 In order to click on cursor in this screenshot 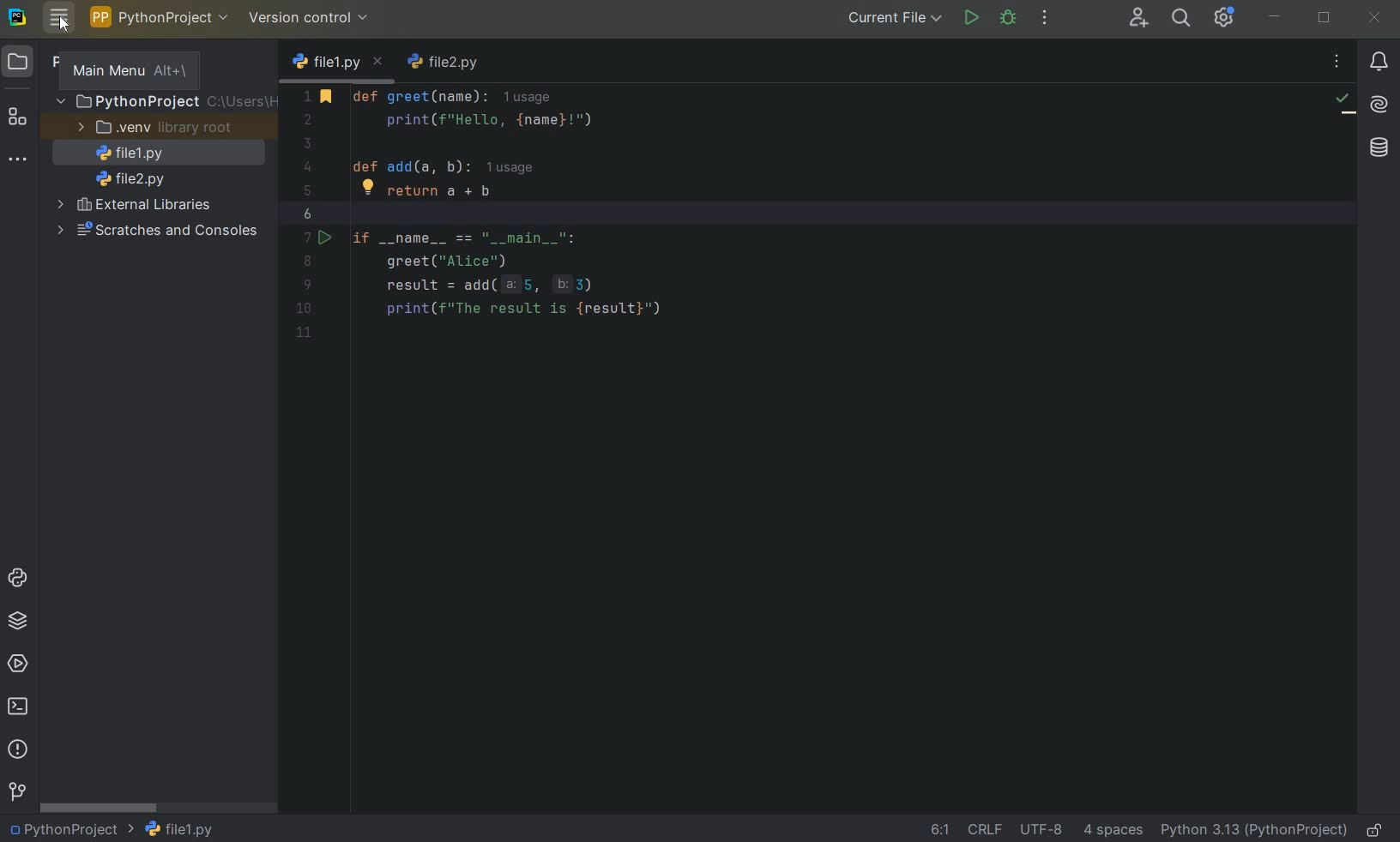, I will do `click(64, 23)`.